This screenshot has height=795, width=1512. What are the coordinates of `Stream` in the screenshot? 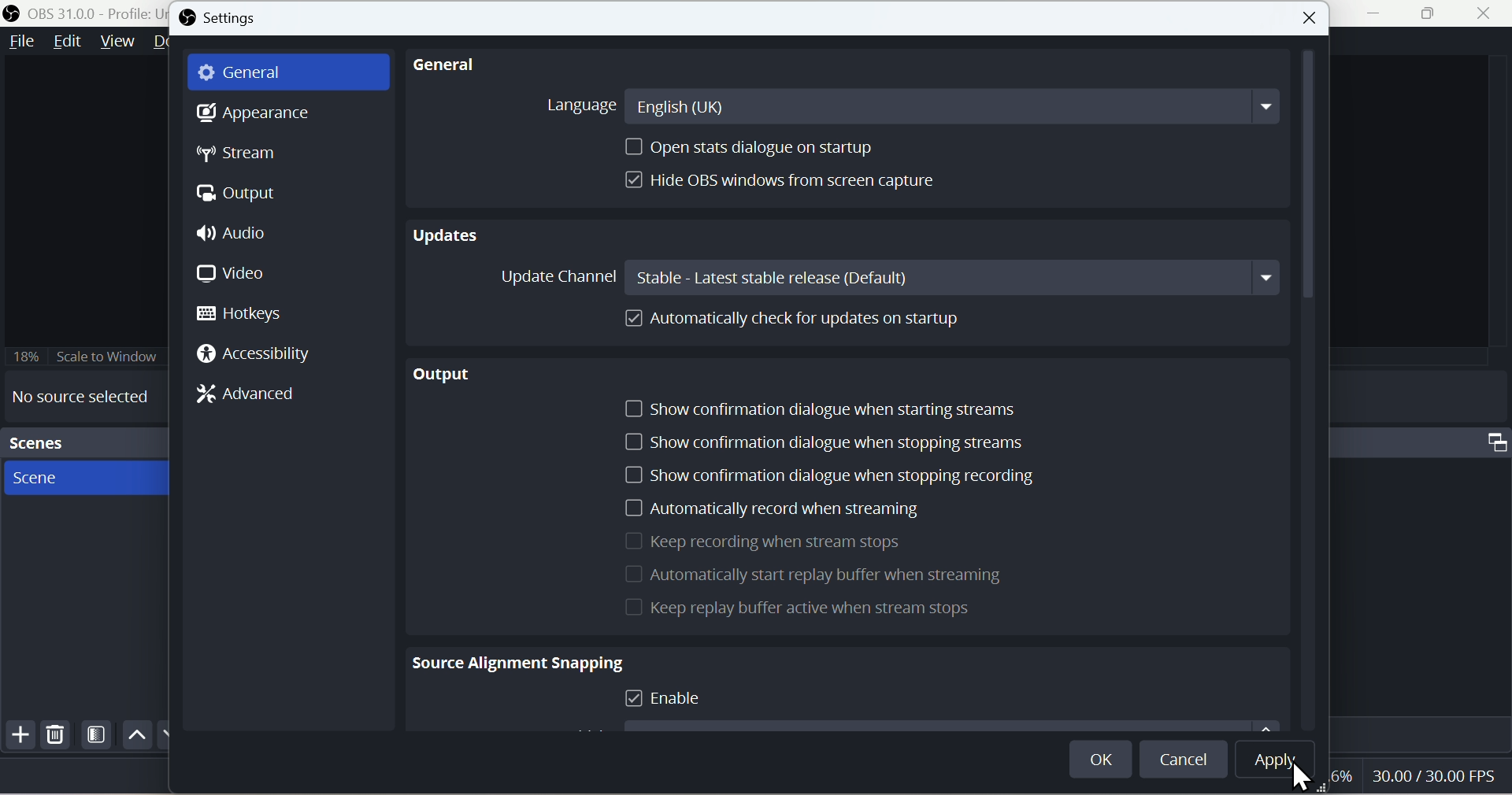 It's located at (239, 156).